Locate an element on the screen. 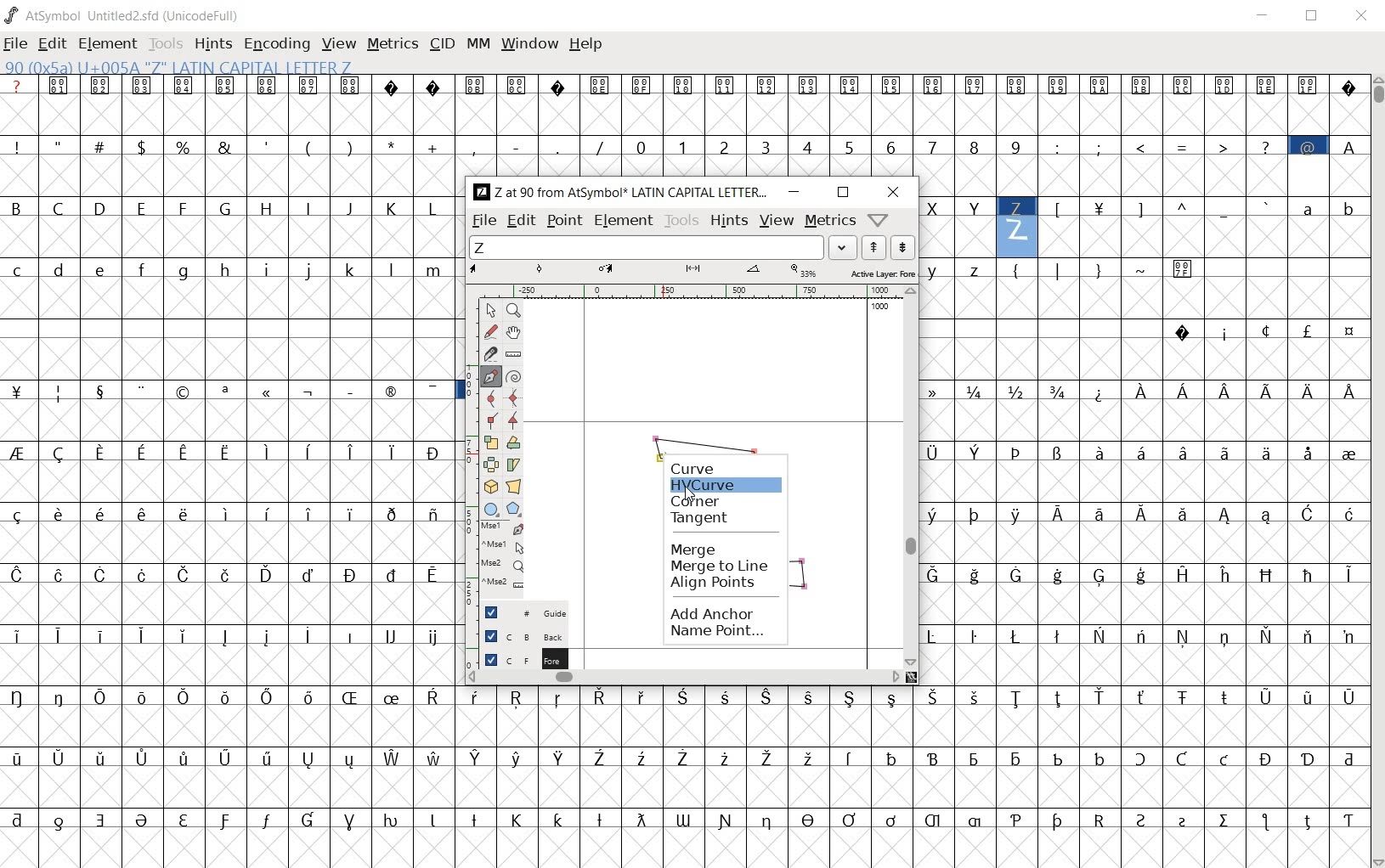  glyph characters is located at coordinates (913, 777).